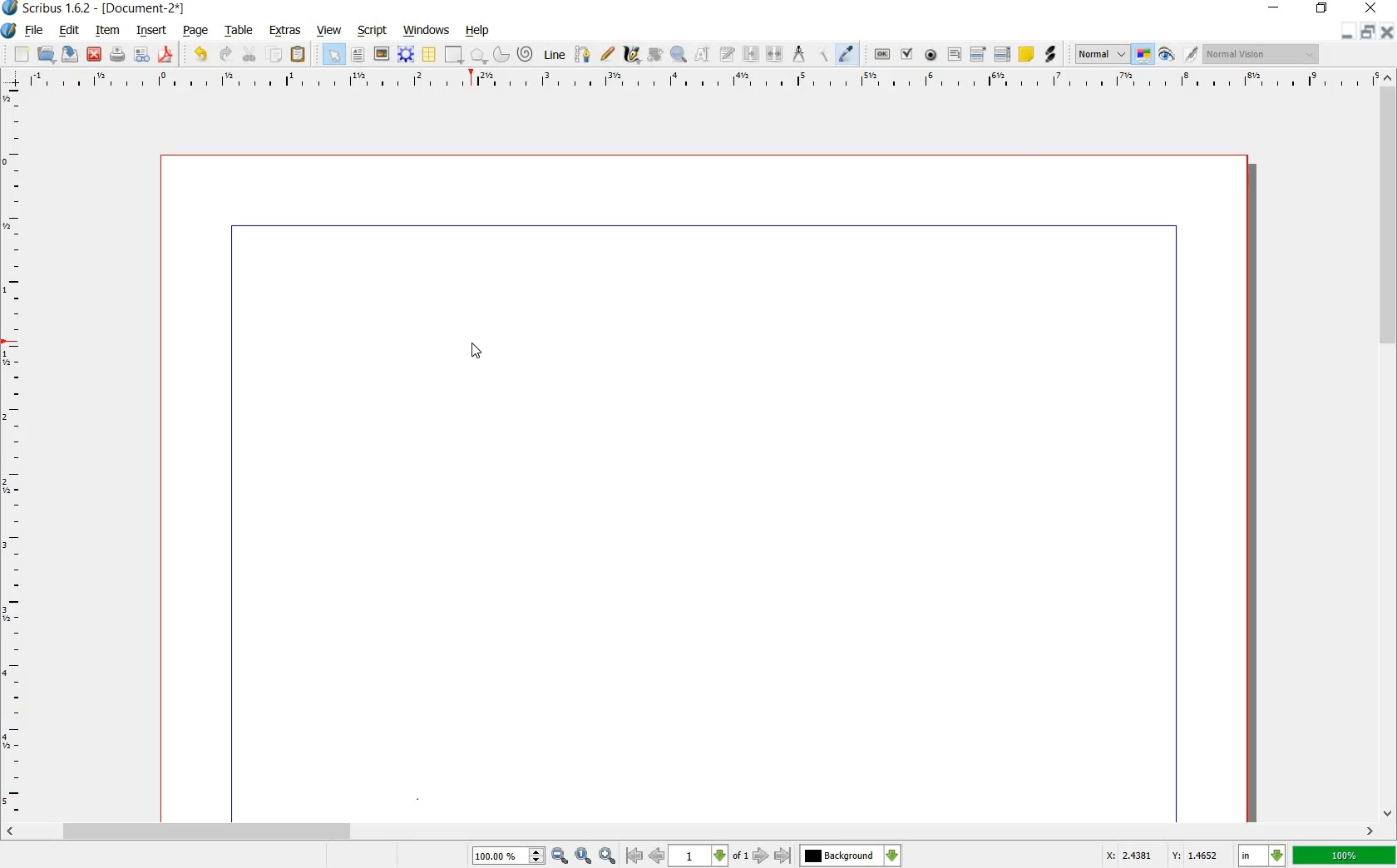 The width and height of the screenshot is (1397, 868). Describe the element at coordinates (226, 55) in the screenshot. I see `REDO` at that location.